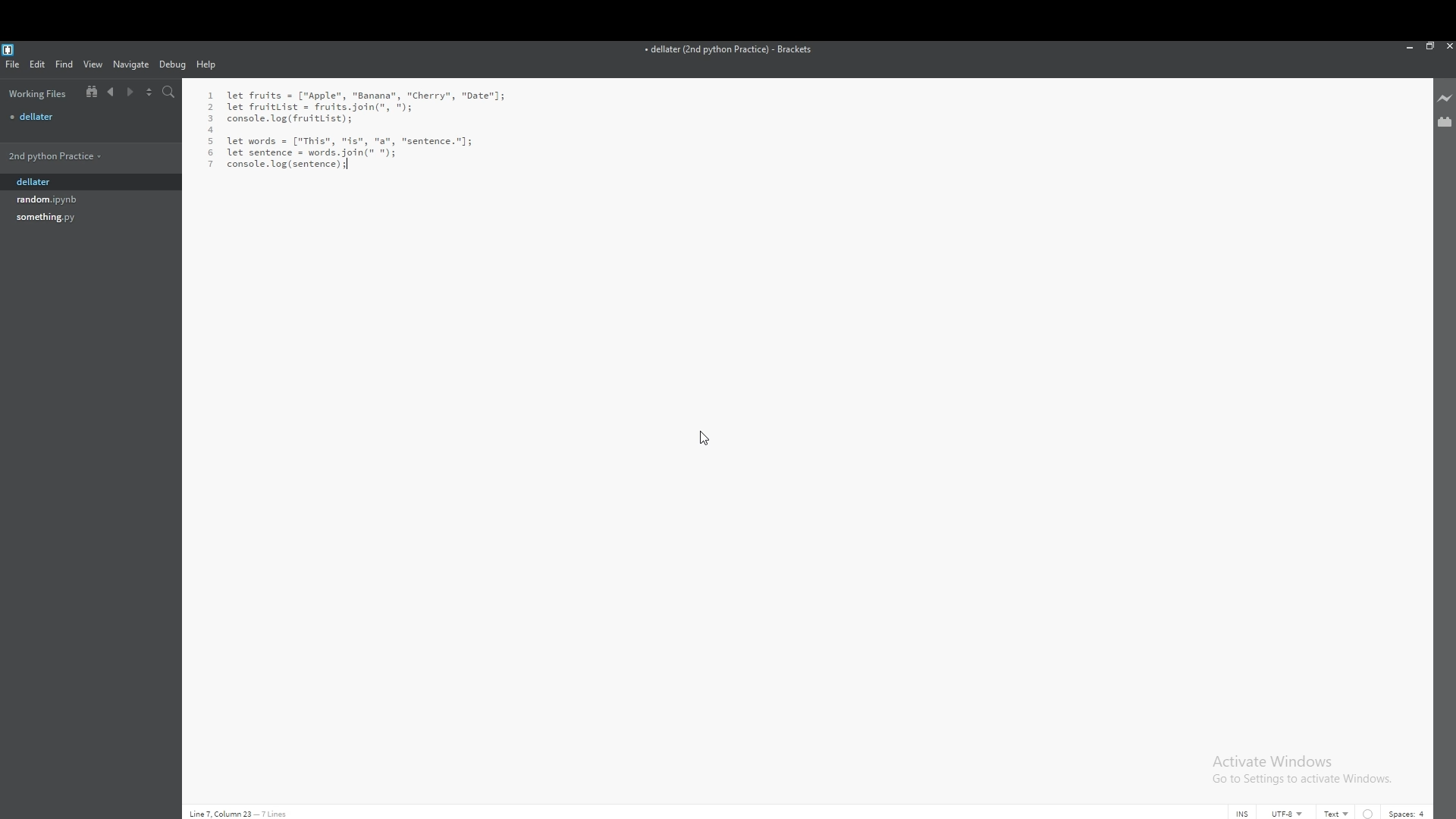  I want to click on + dellater (2nd python Practice) - Brackets, so click(735, 51).